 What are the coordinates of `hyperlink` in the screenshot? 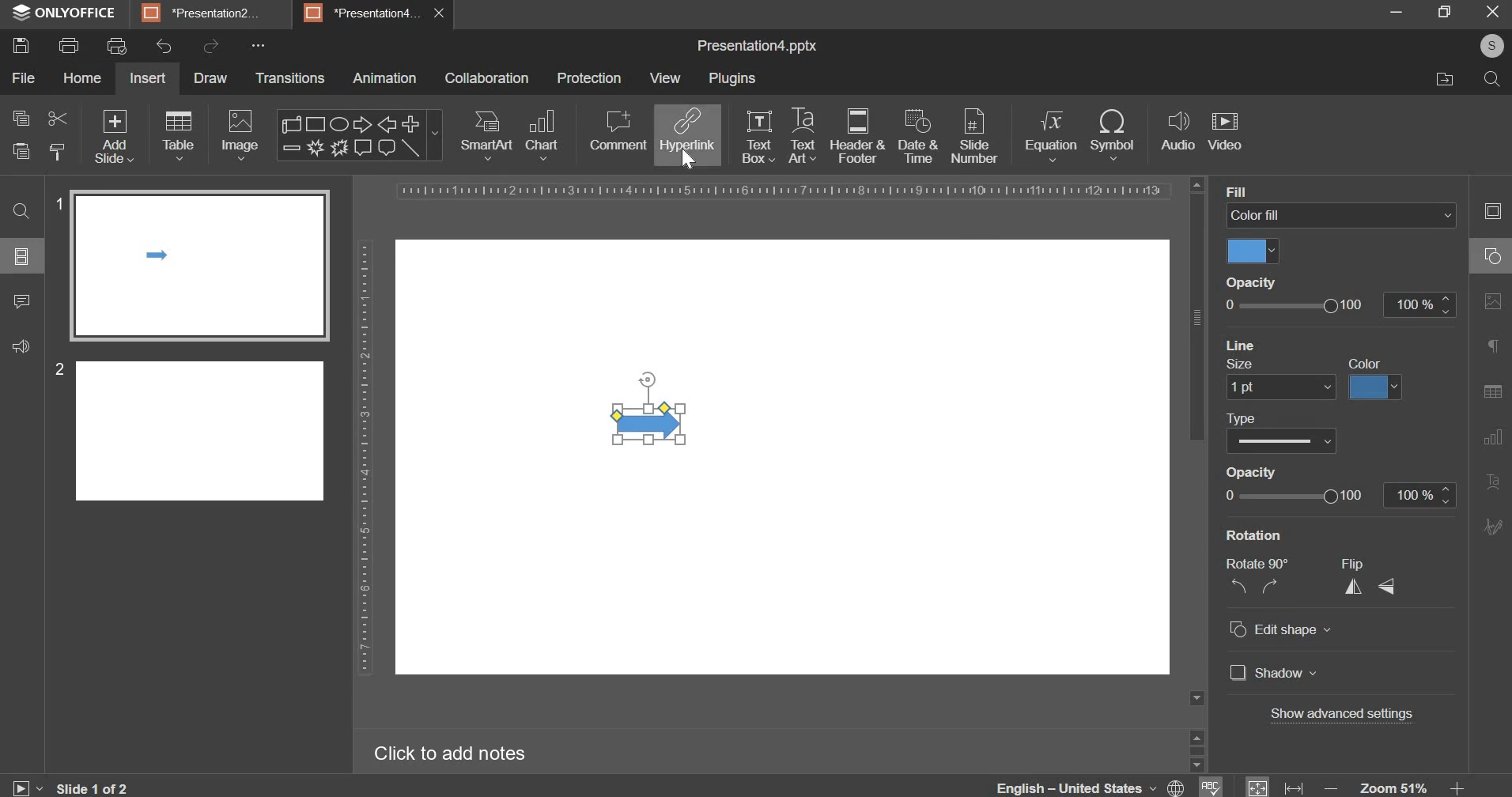 It's located at (687, 132).